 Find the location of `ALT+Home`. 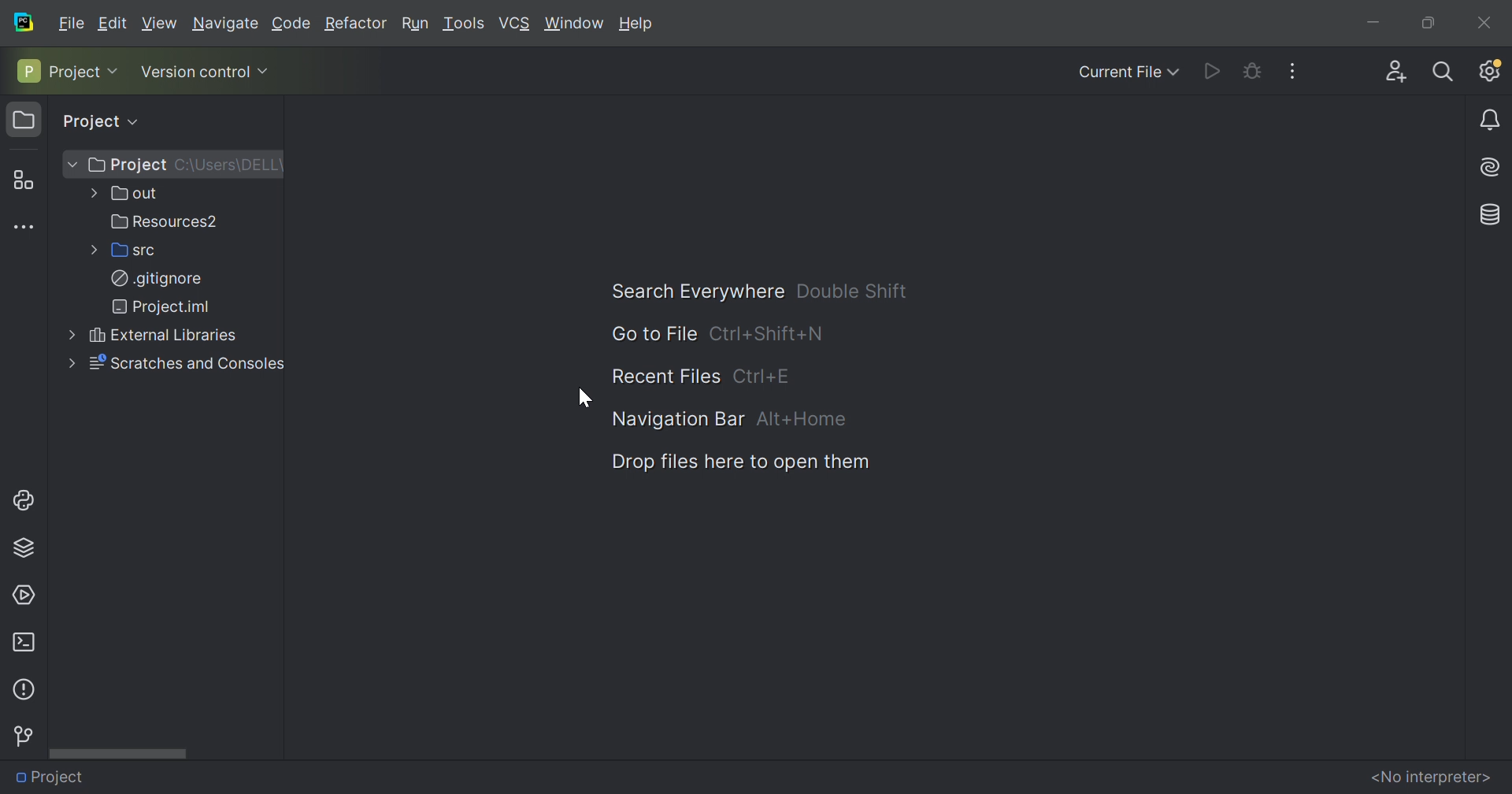

ALT+Home is located at coordinates (799, 417).